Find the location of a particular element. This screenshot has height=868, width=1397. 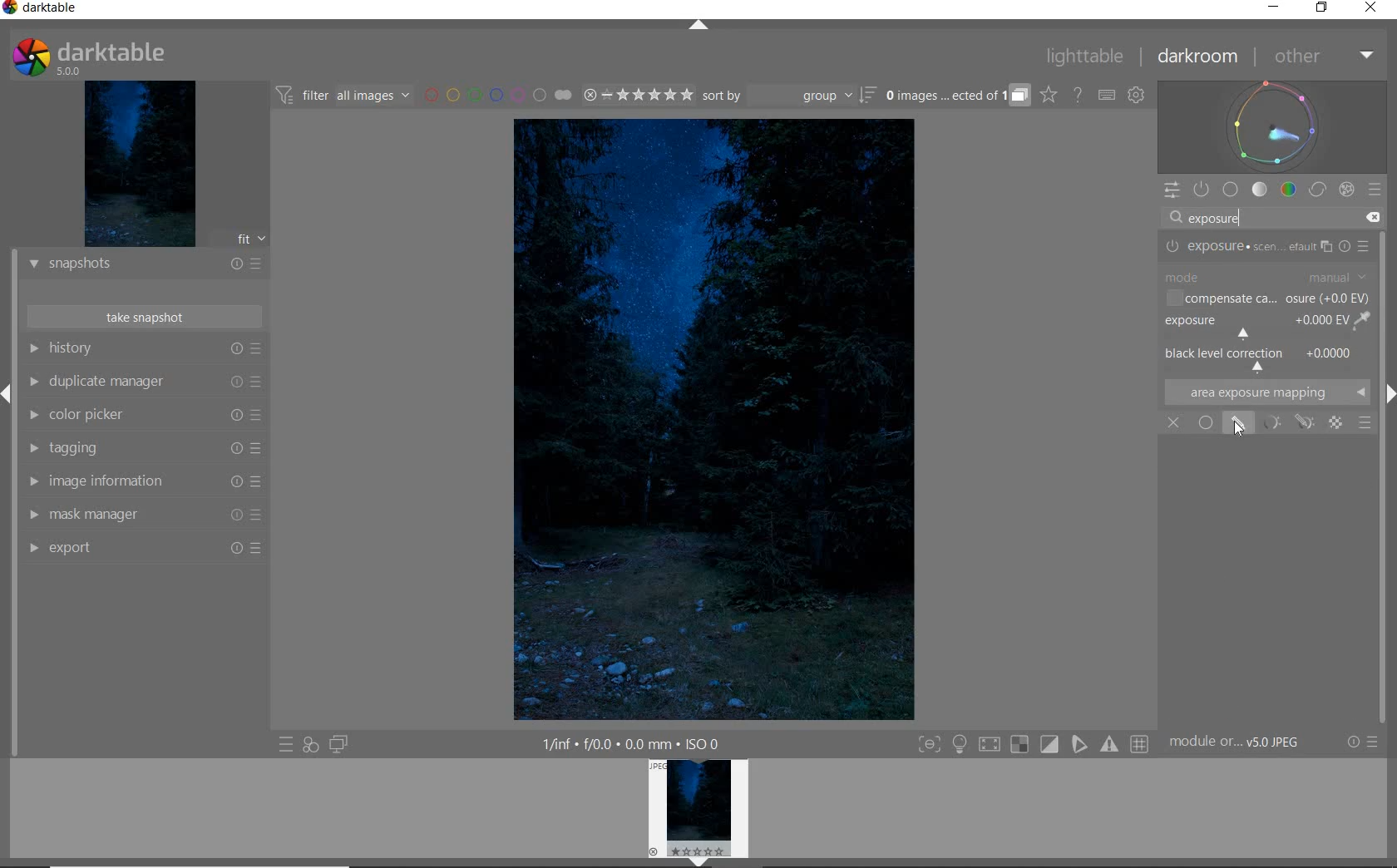

SET KEYBOARD SHORTCUTS is located at coordinates (1107, 96).